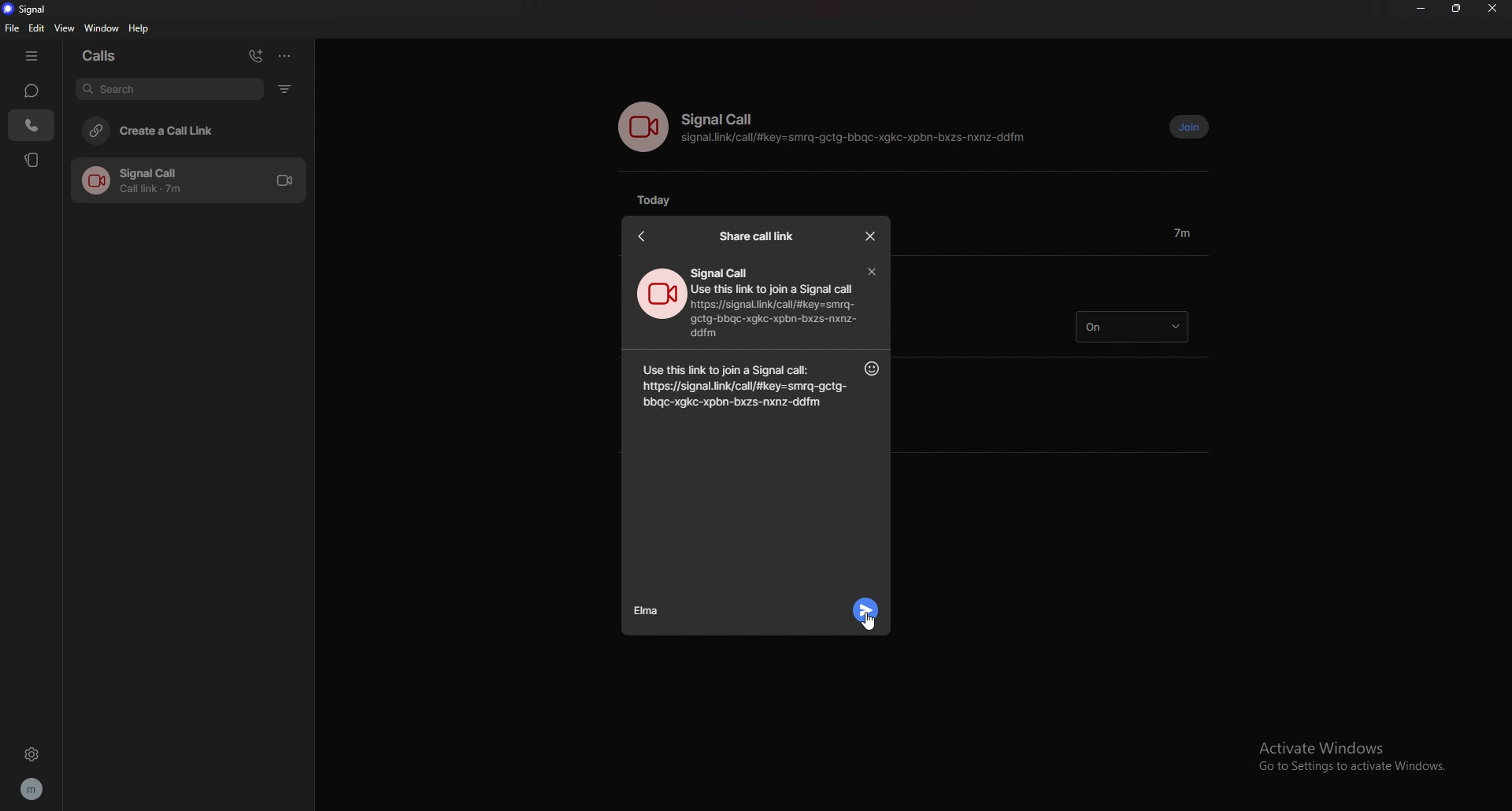  What do you see at coordinates (32, 124) in the screenshot?
I see `calls` at bounding box center [32, 124].